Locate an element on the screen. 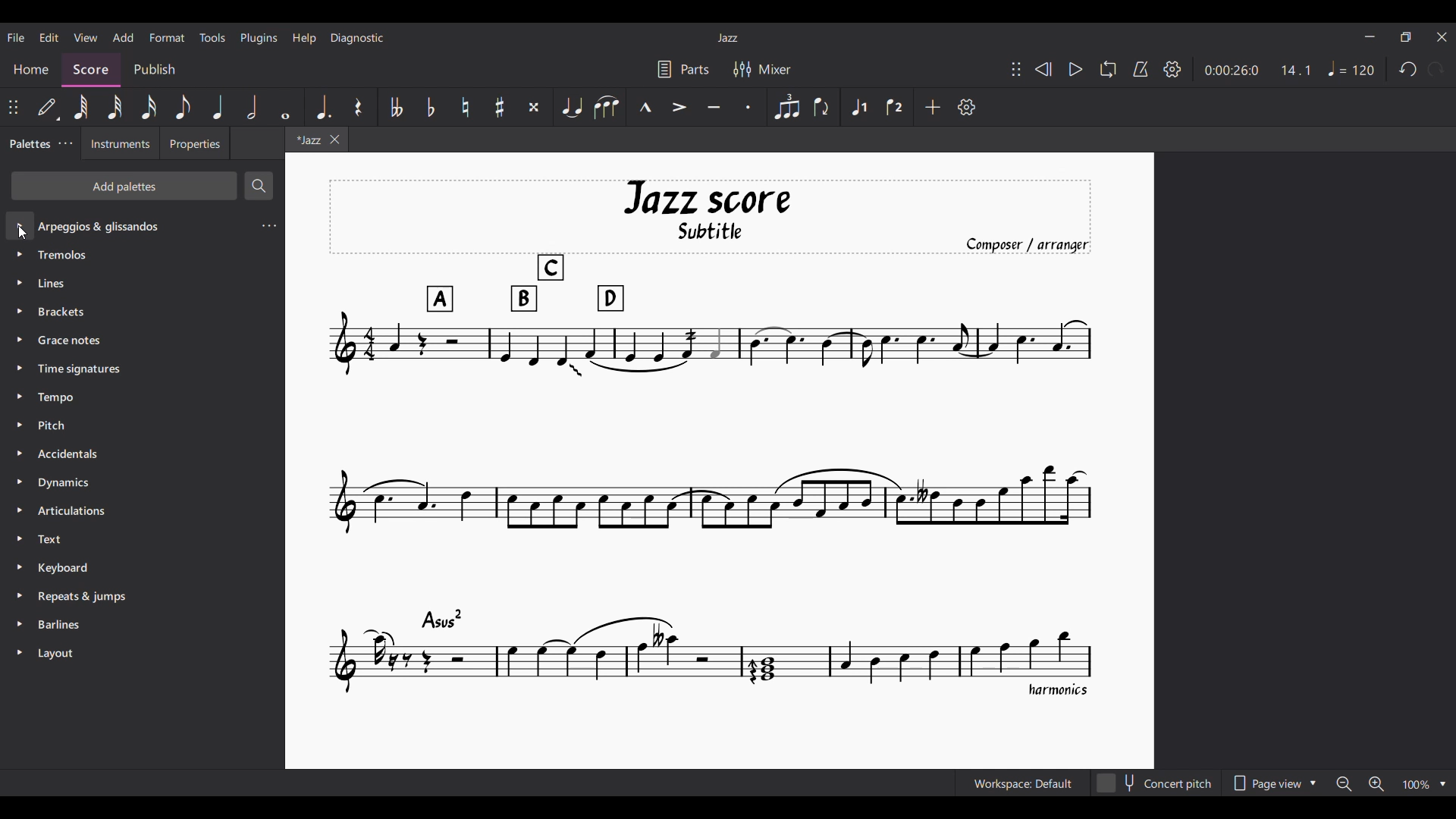  8th note is located at coordinates (184, 107).